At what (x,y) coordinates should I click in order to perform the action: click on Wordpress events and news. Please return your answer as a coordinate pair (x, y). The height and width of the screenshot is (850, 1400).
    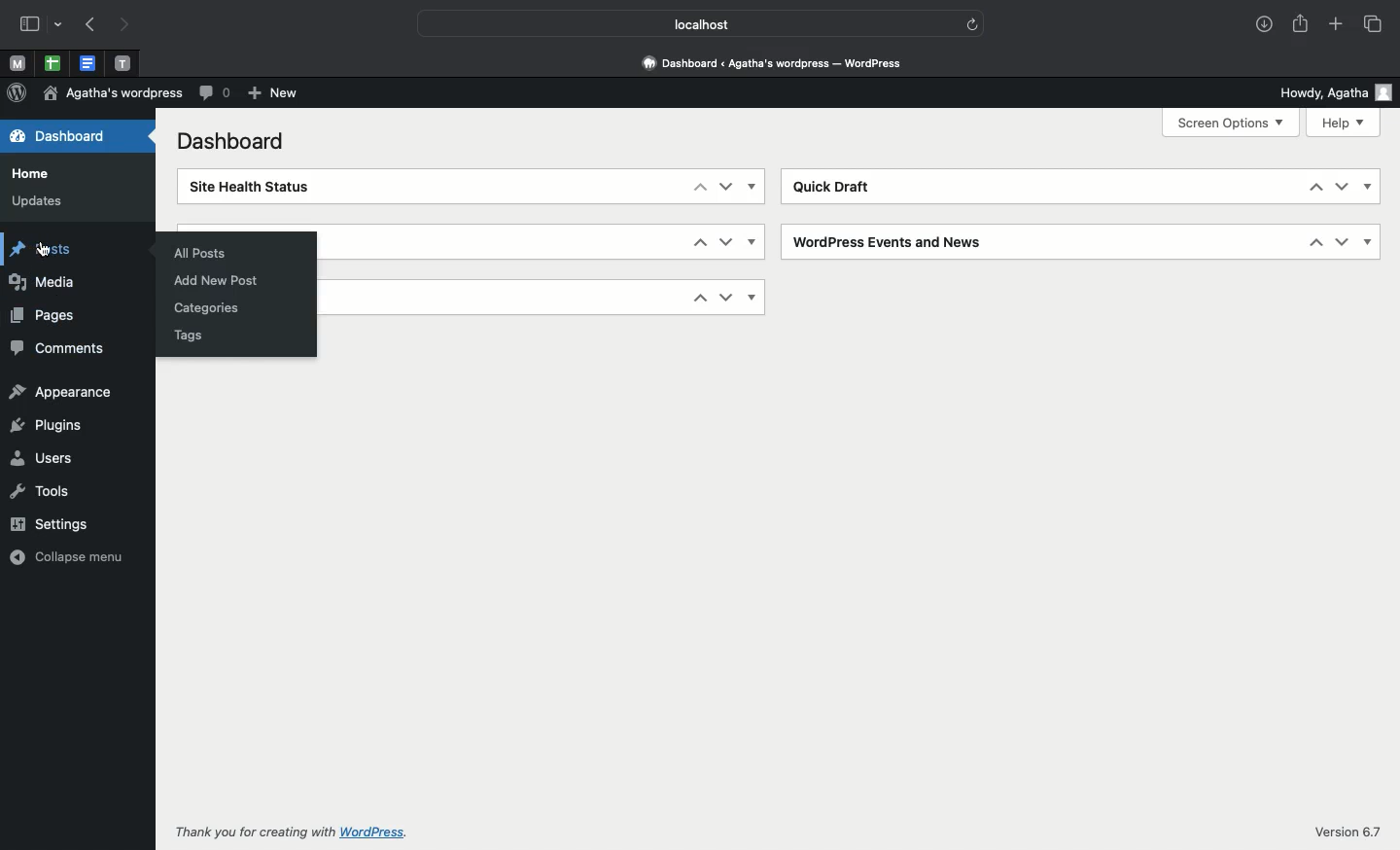
    Looking at the image, I should click on (892, 242).